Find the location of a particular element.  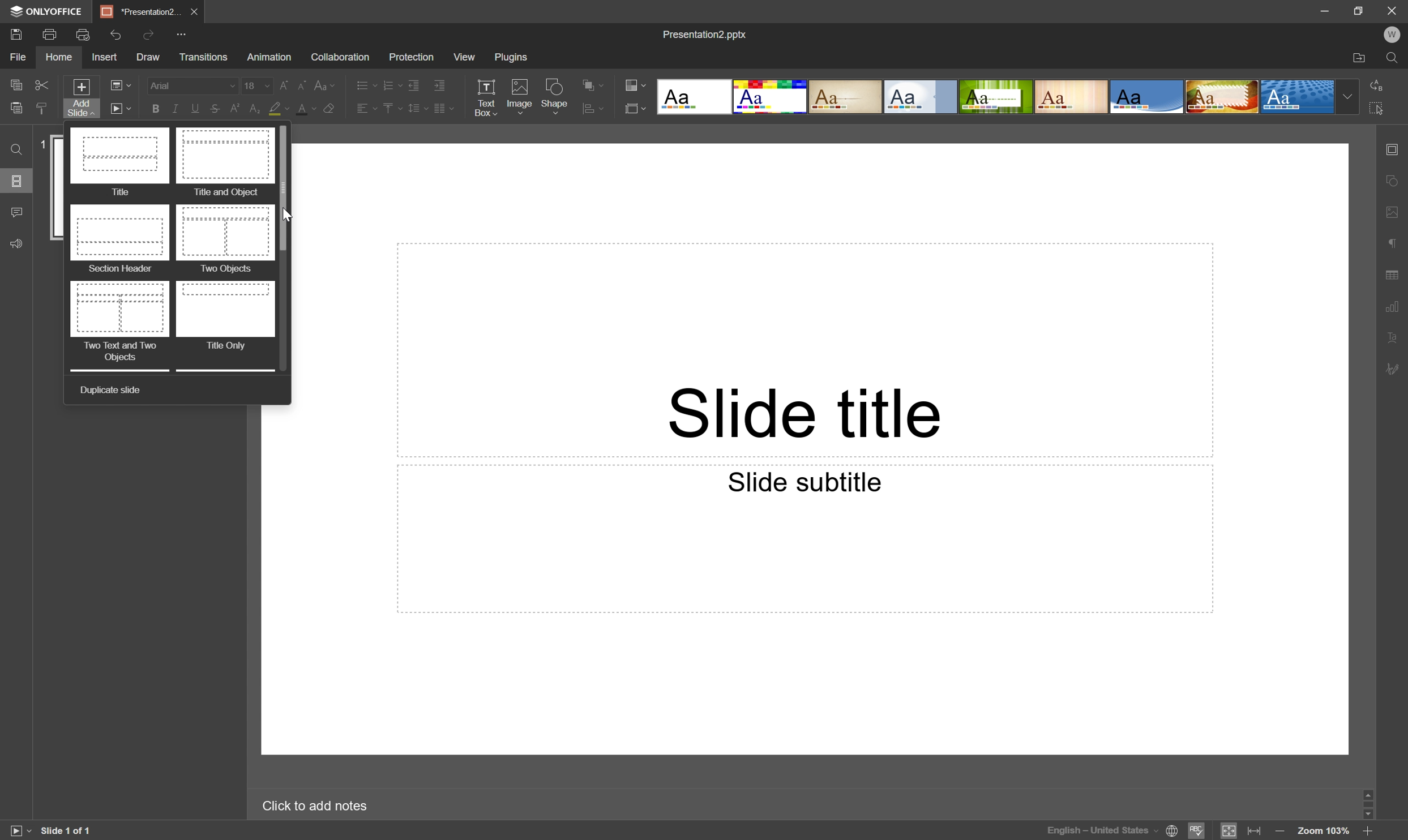

Redo is located at coordinates (120, 36).